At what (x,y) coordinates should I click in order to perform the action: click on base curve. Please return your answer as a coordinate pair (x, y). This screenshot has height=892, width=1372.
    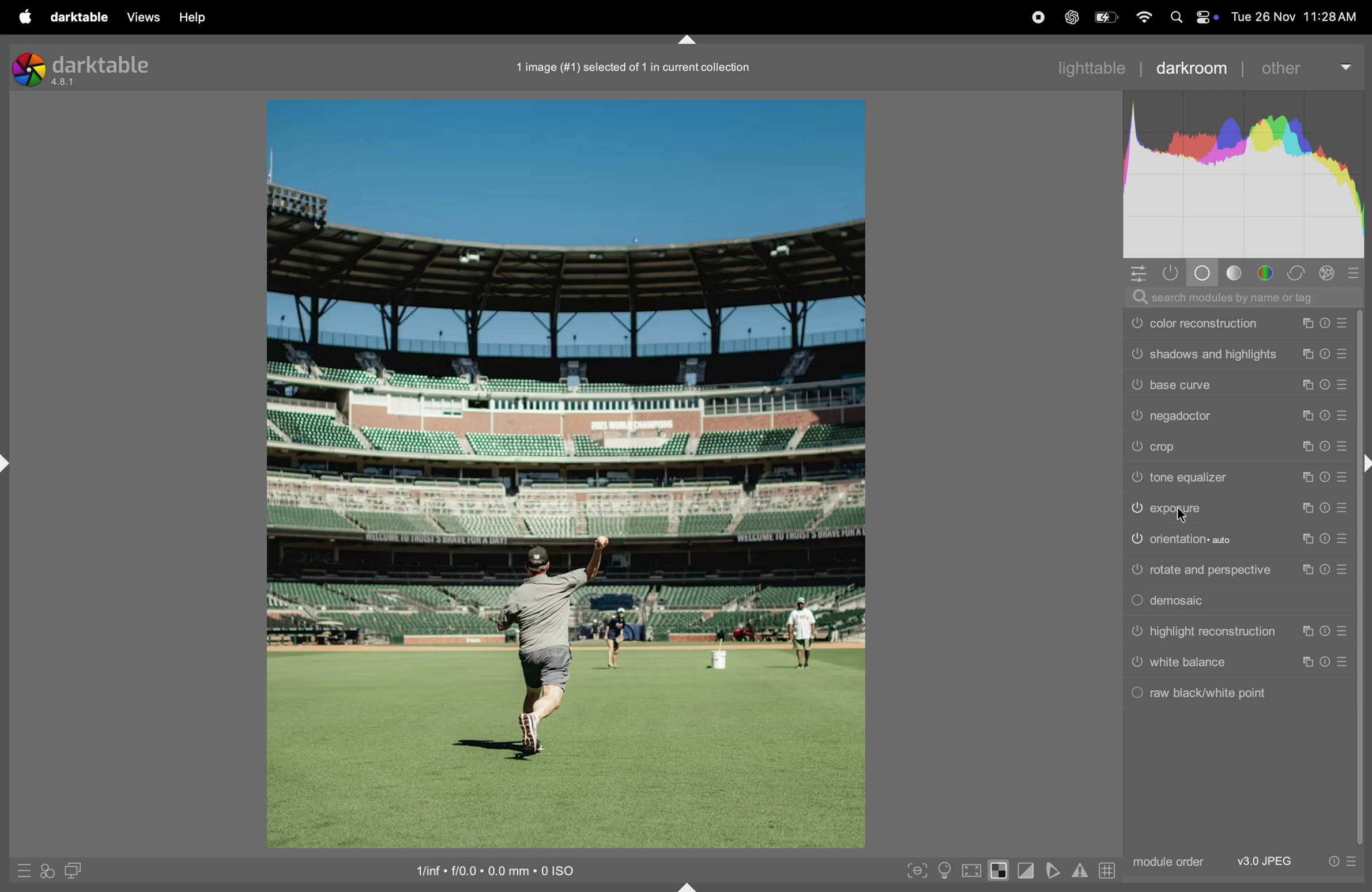
    Looking at the image, I should click on (1181, 386).